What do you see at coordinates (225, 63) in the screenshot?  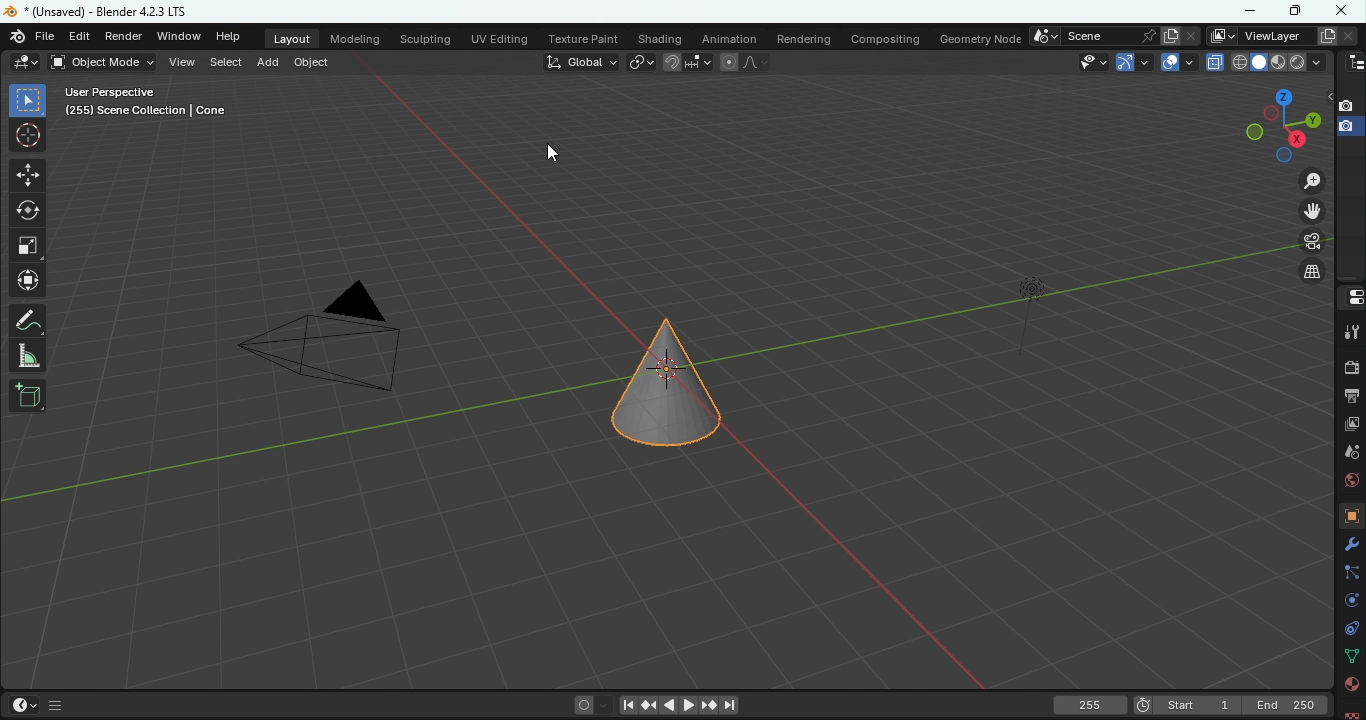 I see `Select` at bounding box center [225, 63].